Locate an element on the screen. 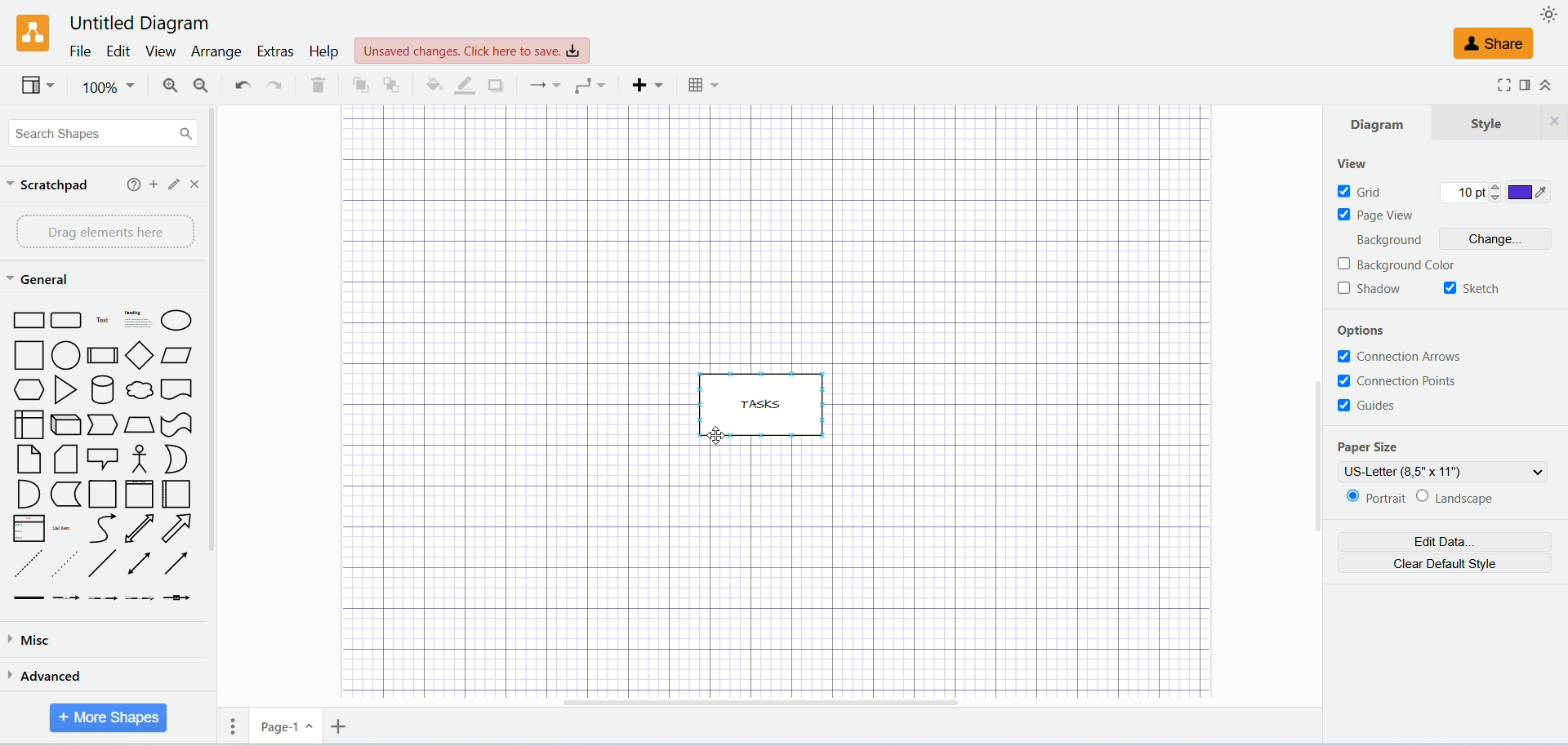 This screenshot has height=746, width=1568. to front is located at coordinates (357, 83).